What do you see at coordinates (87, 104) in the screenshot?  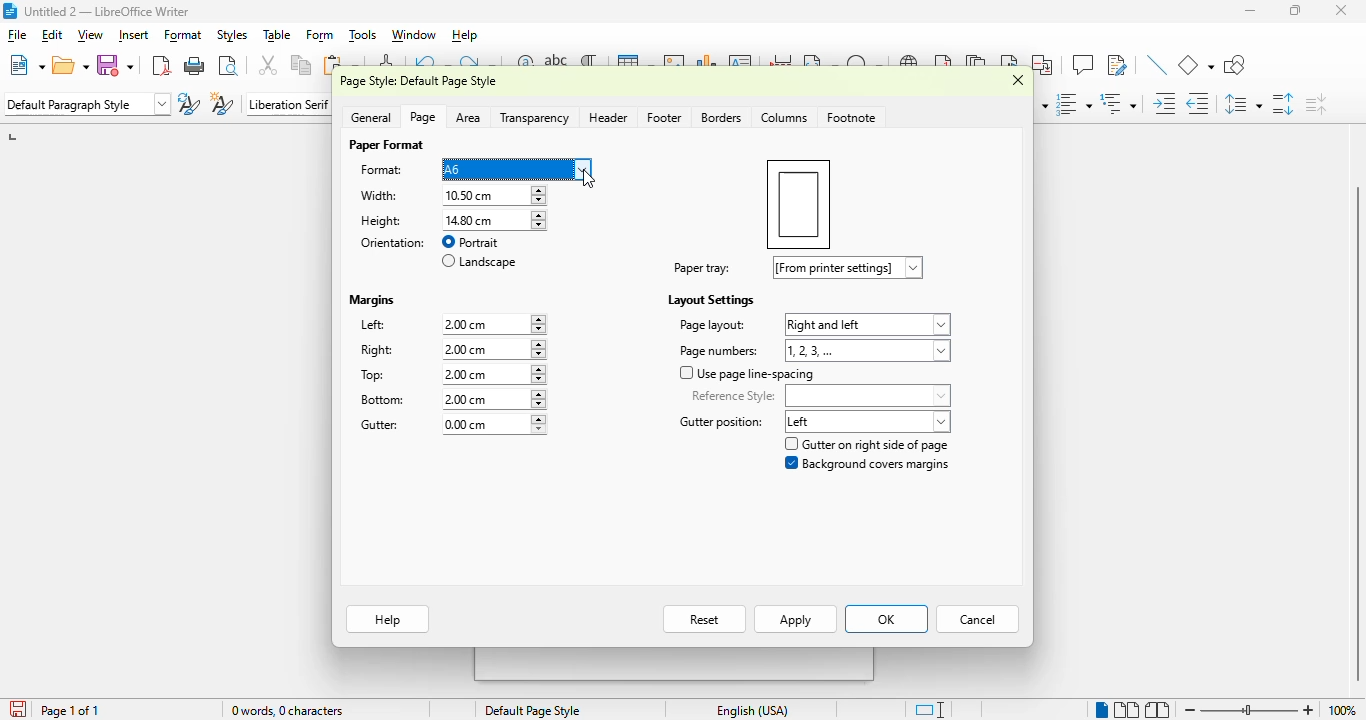 I see `set paragraph style` at bounding box center [87, 104].